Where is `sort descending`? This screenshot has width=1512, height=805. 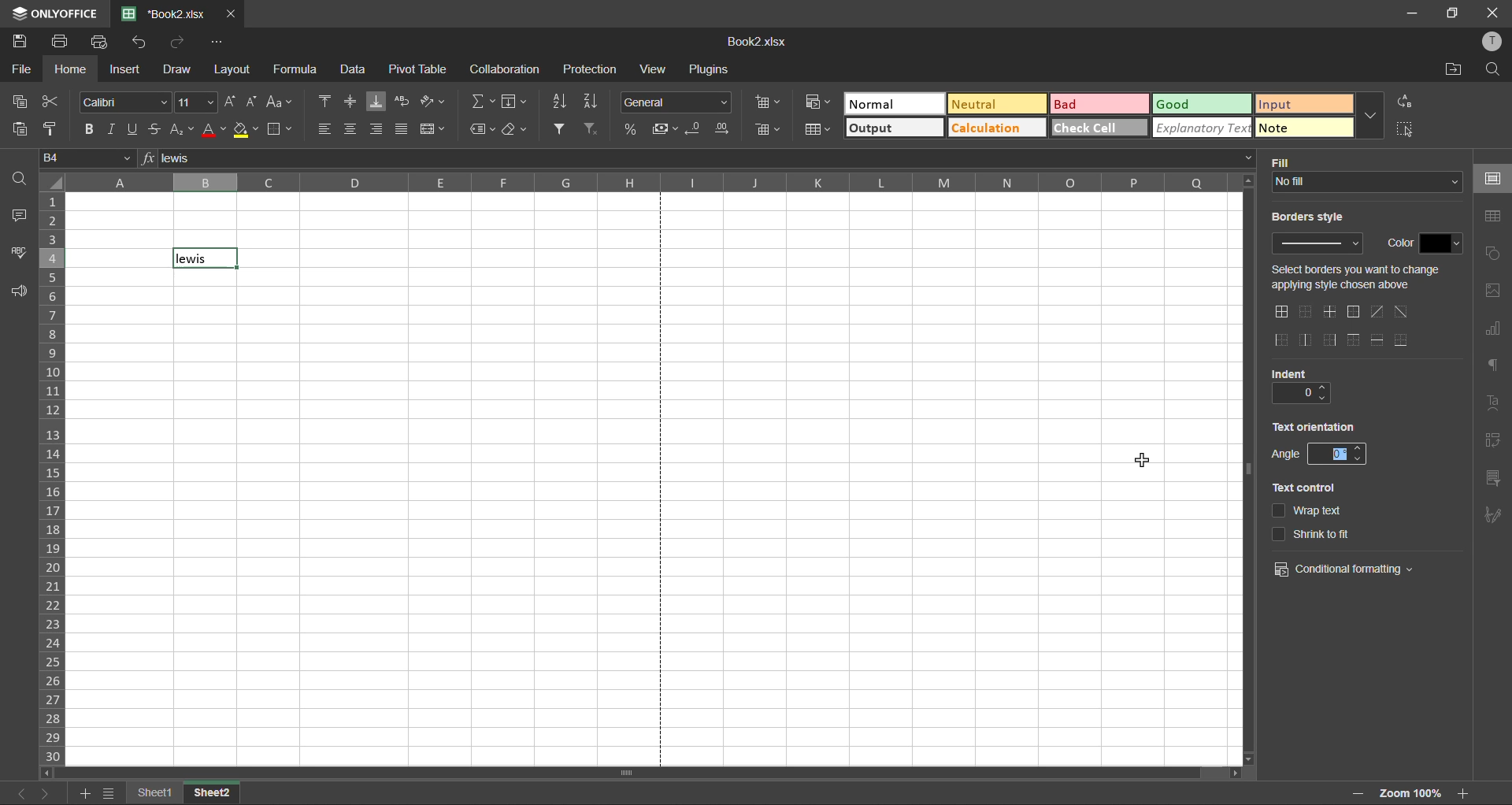
sort descending is located at coordinates (598, 100).